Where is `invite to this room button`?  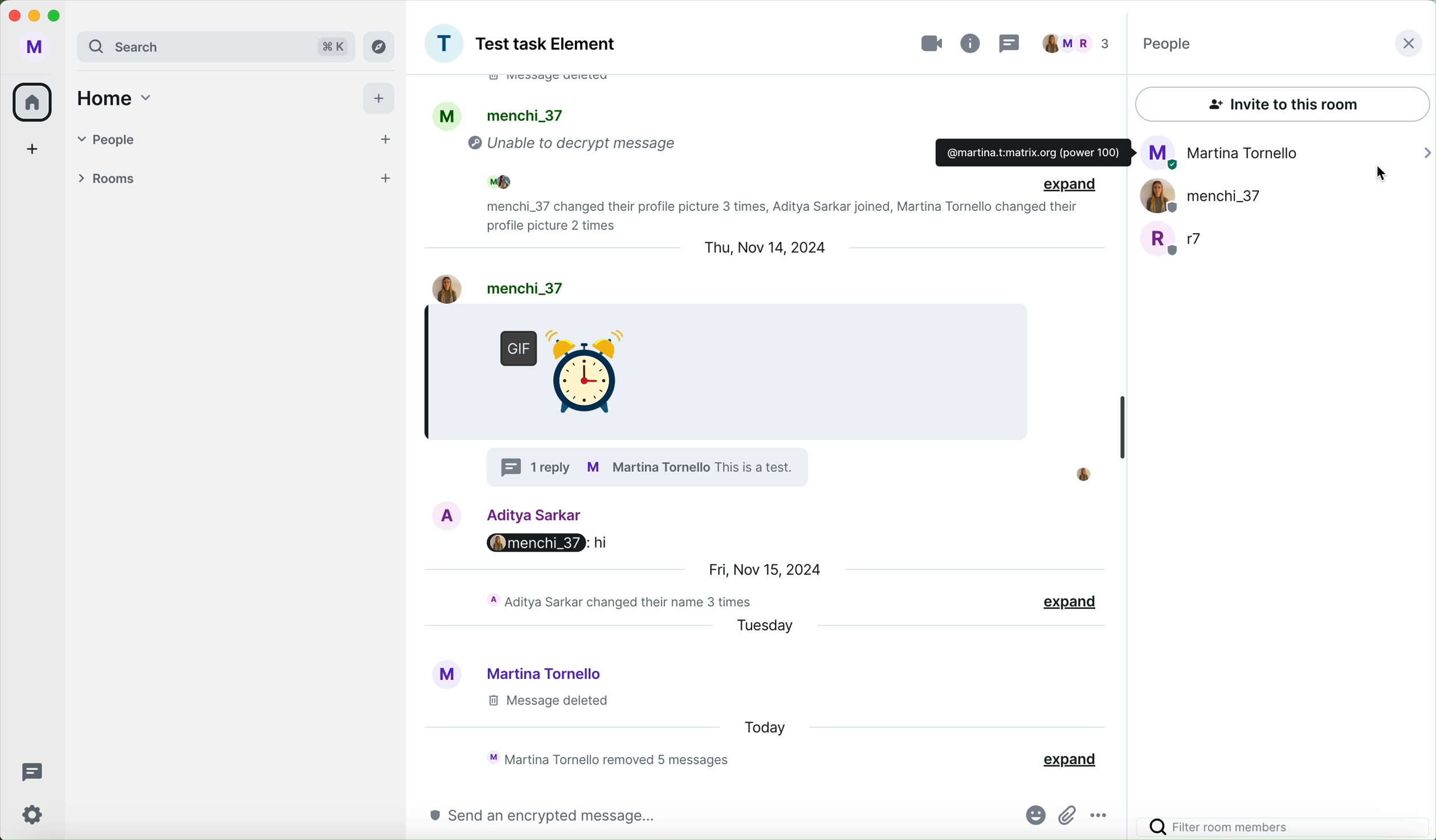 invite to this room button is located at coordinates (1283, 105).